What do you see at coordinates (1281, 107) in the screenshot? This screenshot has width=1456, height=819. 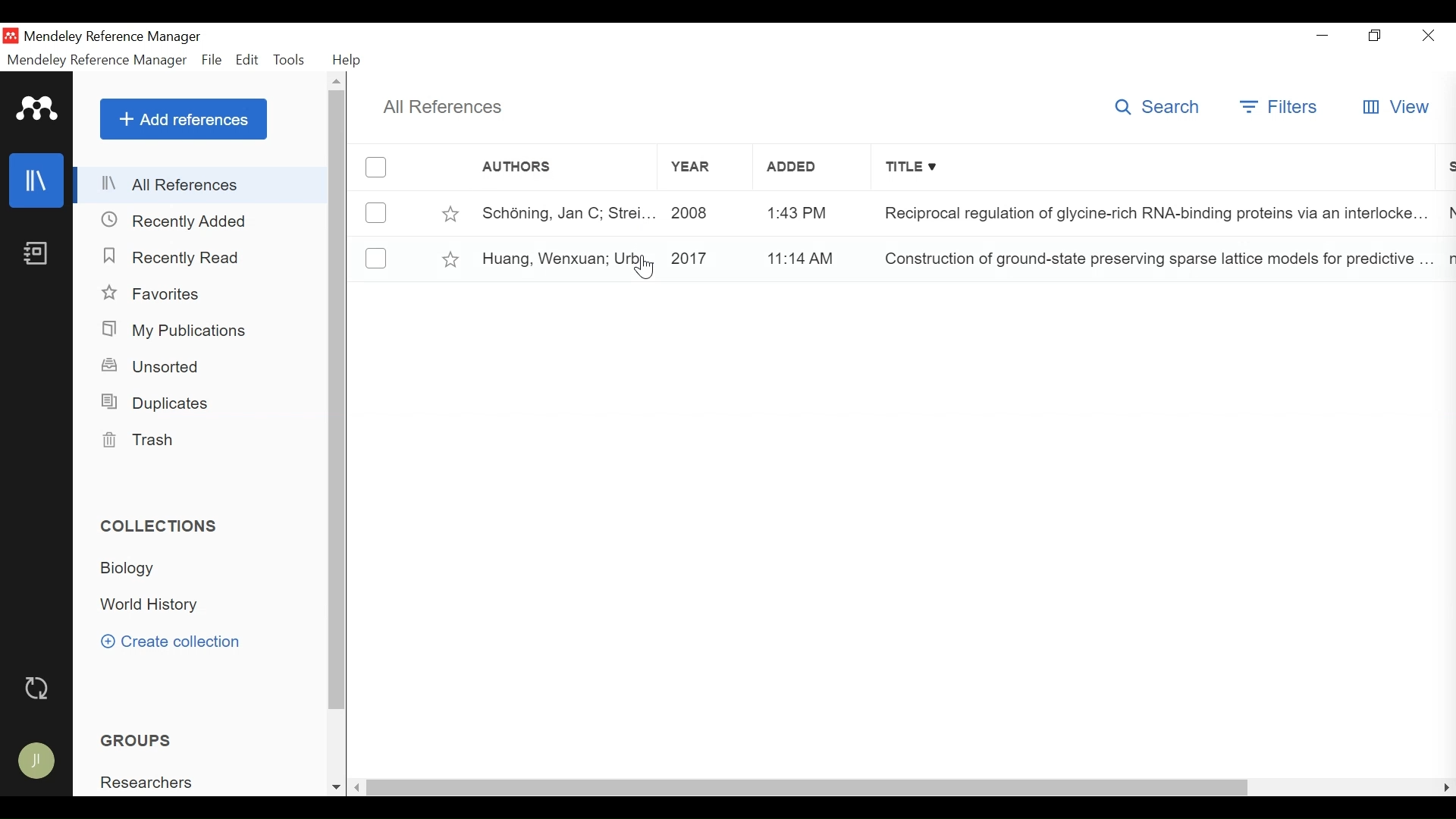 I see `Filters` at bounding box center [1281, 107].